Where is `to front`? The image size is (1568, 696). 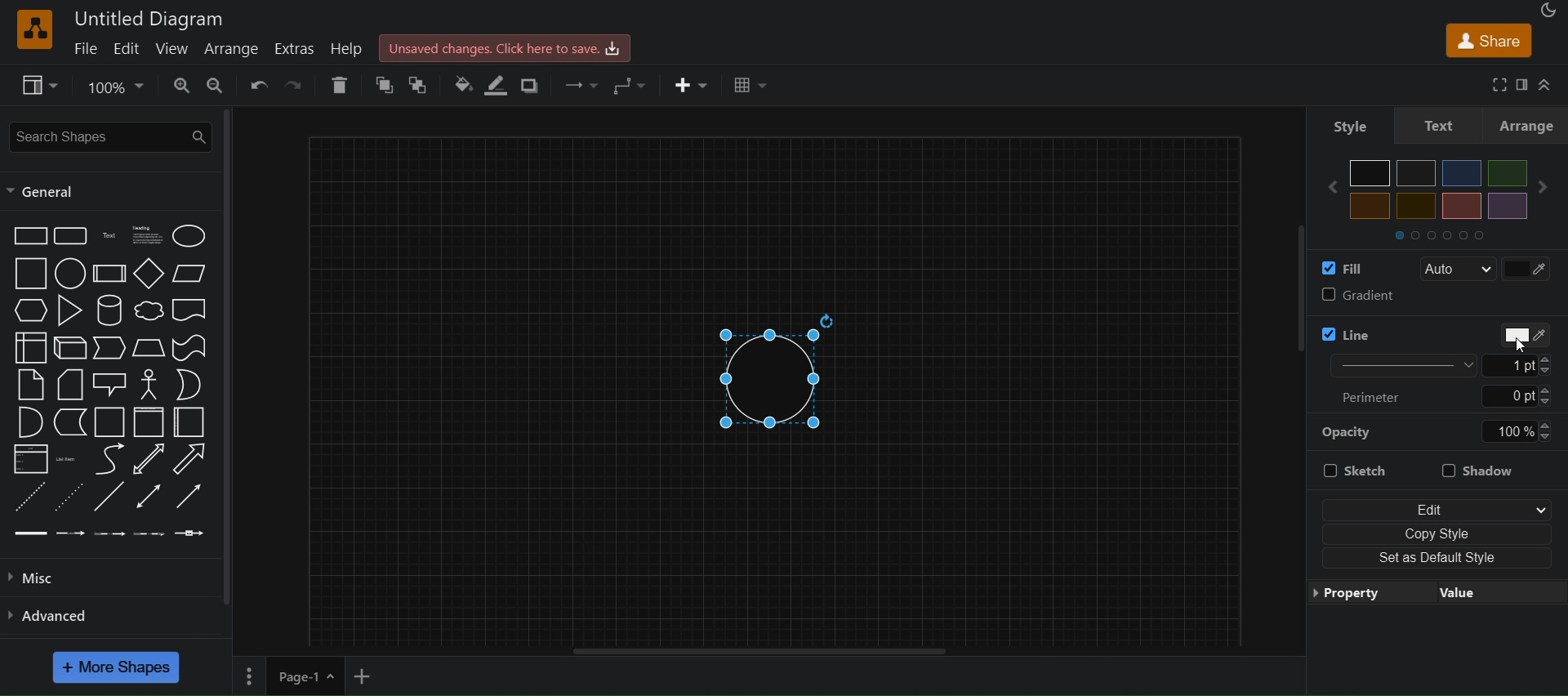 to front is located at coordinates (385, 86).